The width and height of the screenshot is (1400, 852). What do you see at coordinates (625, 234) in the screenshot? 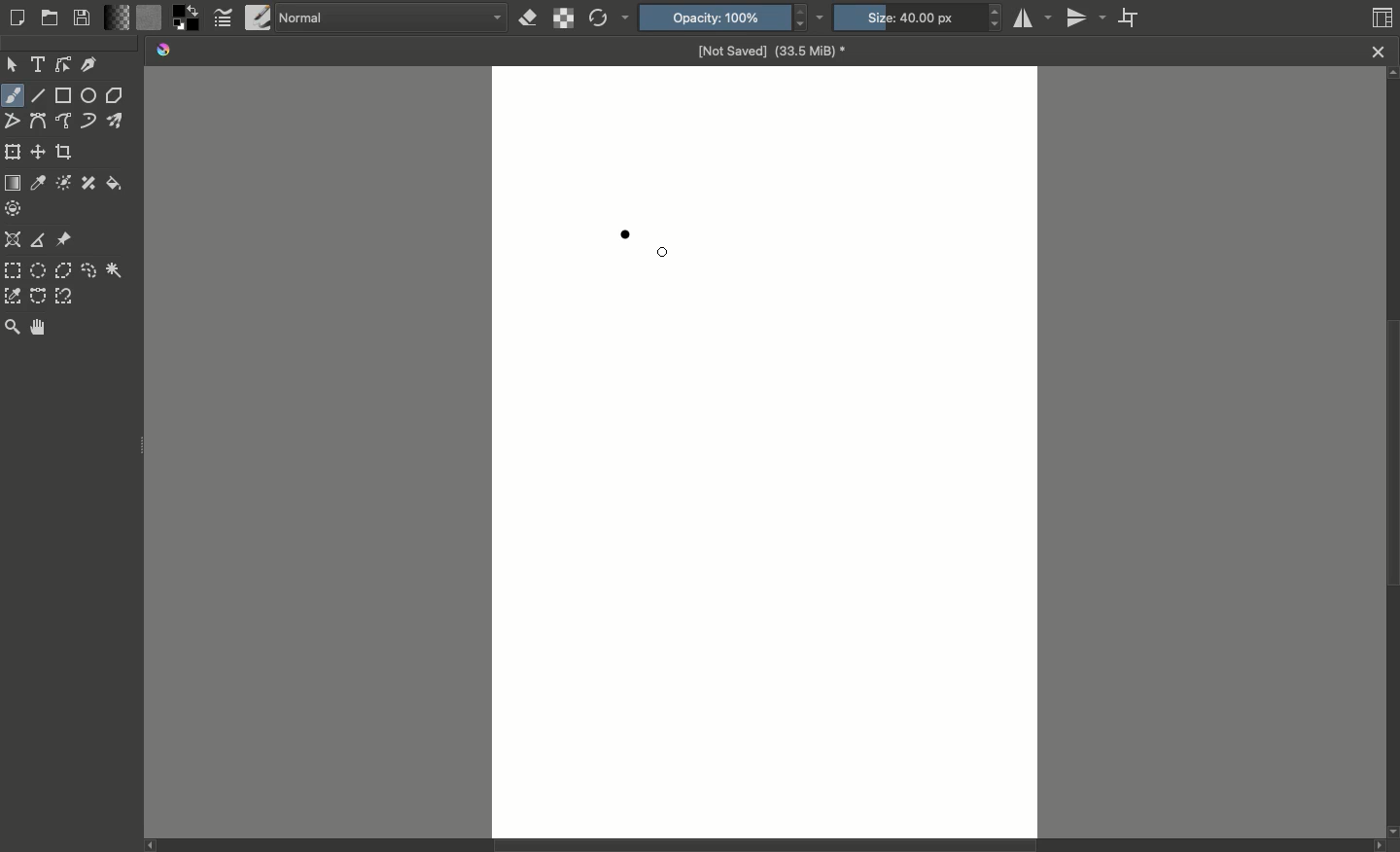
I see `Brushstroke ` at bounding box center [625, 234].